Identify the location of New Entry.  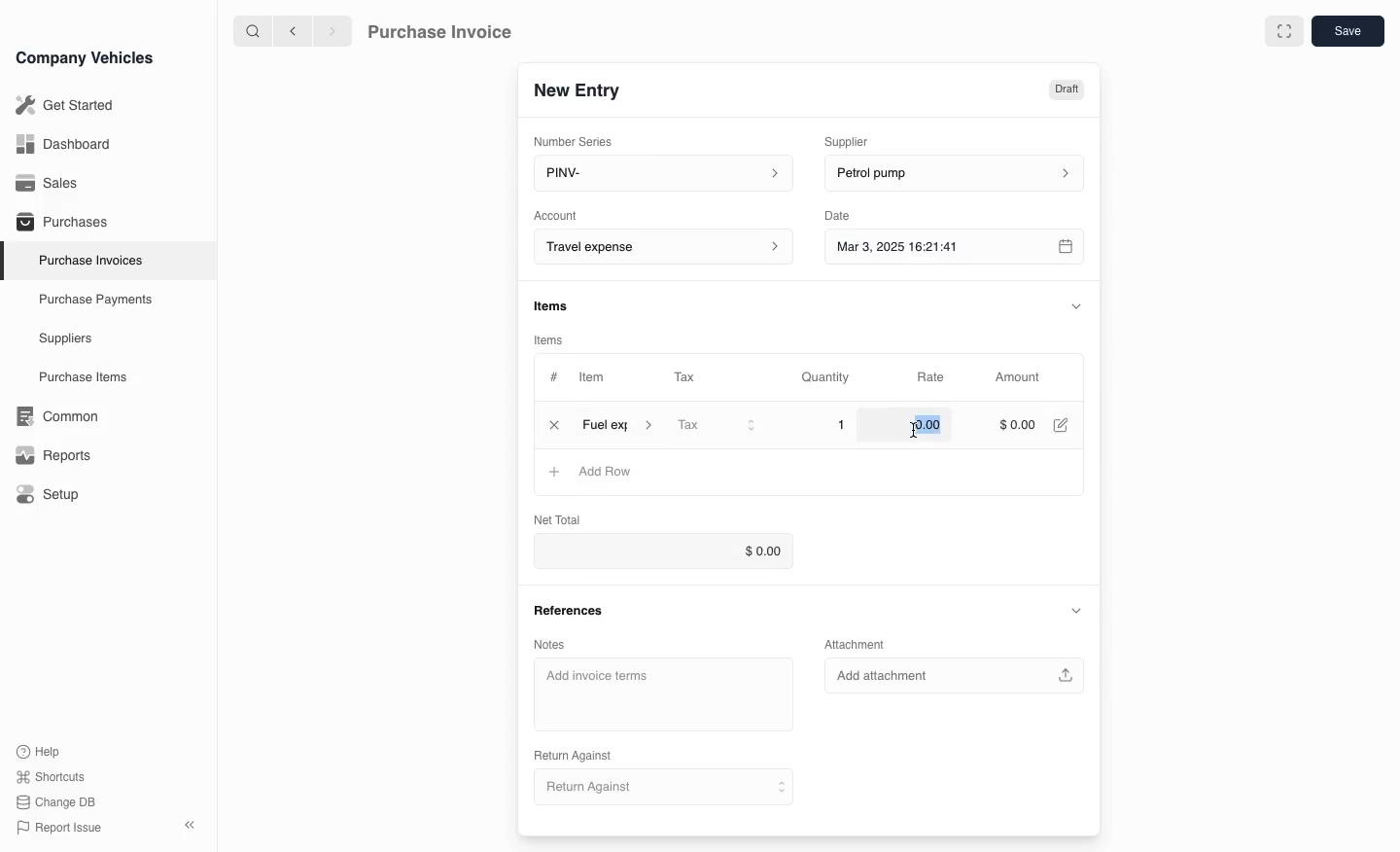
(586, 89).